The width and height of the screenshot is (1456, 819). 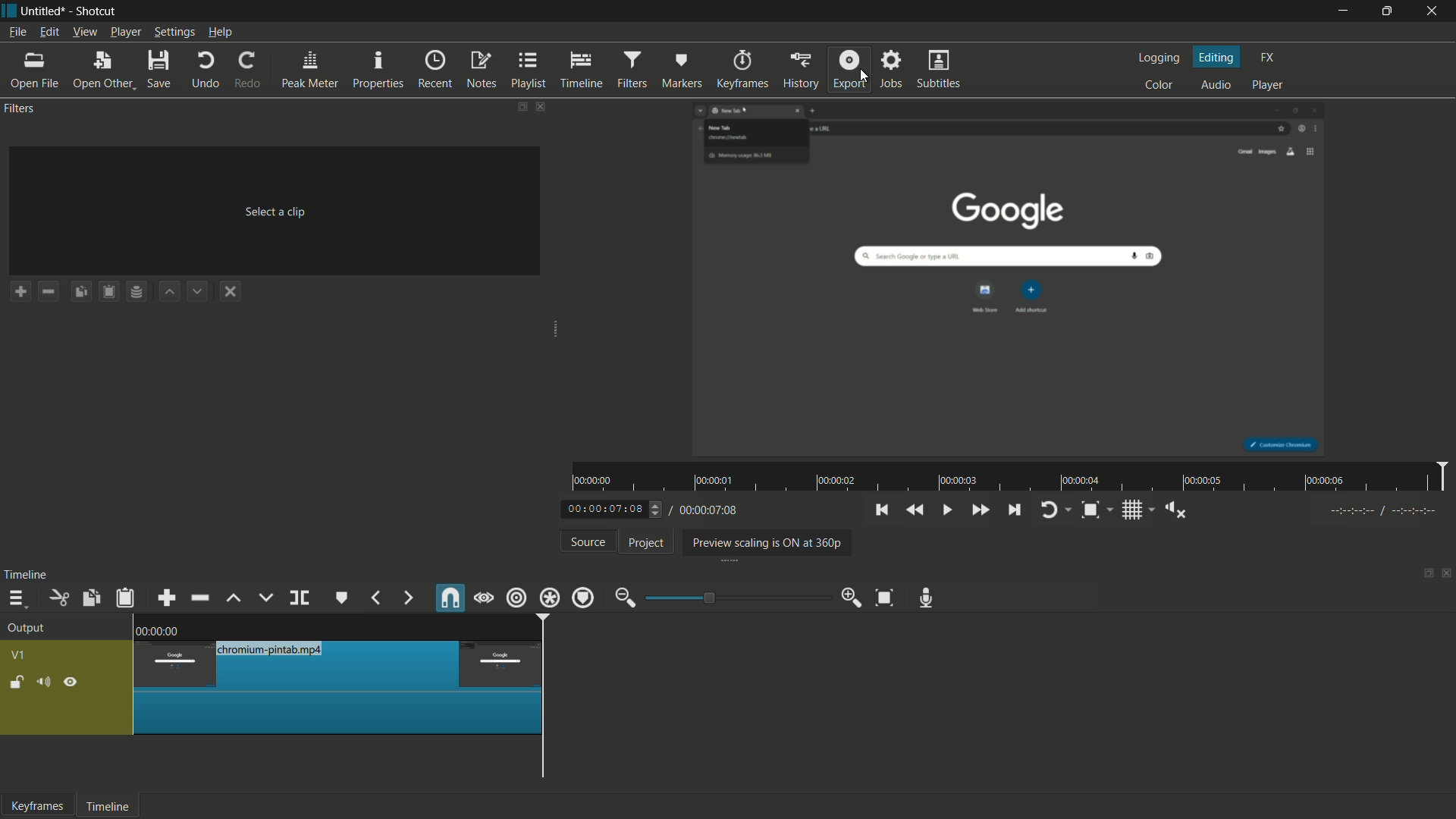 I want to click on close filters, so click(x=541, y=106).